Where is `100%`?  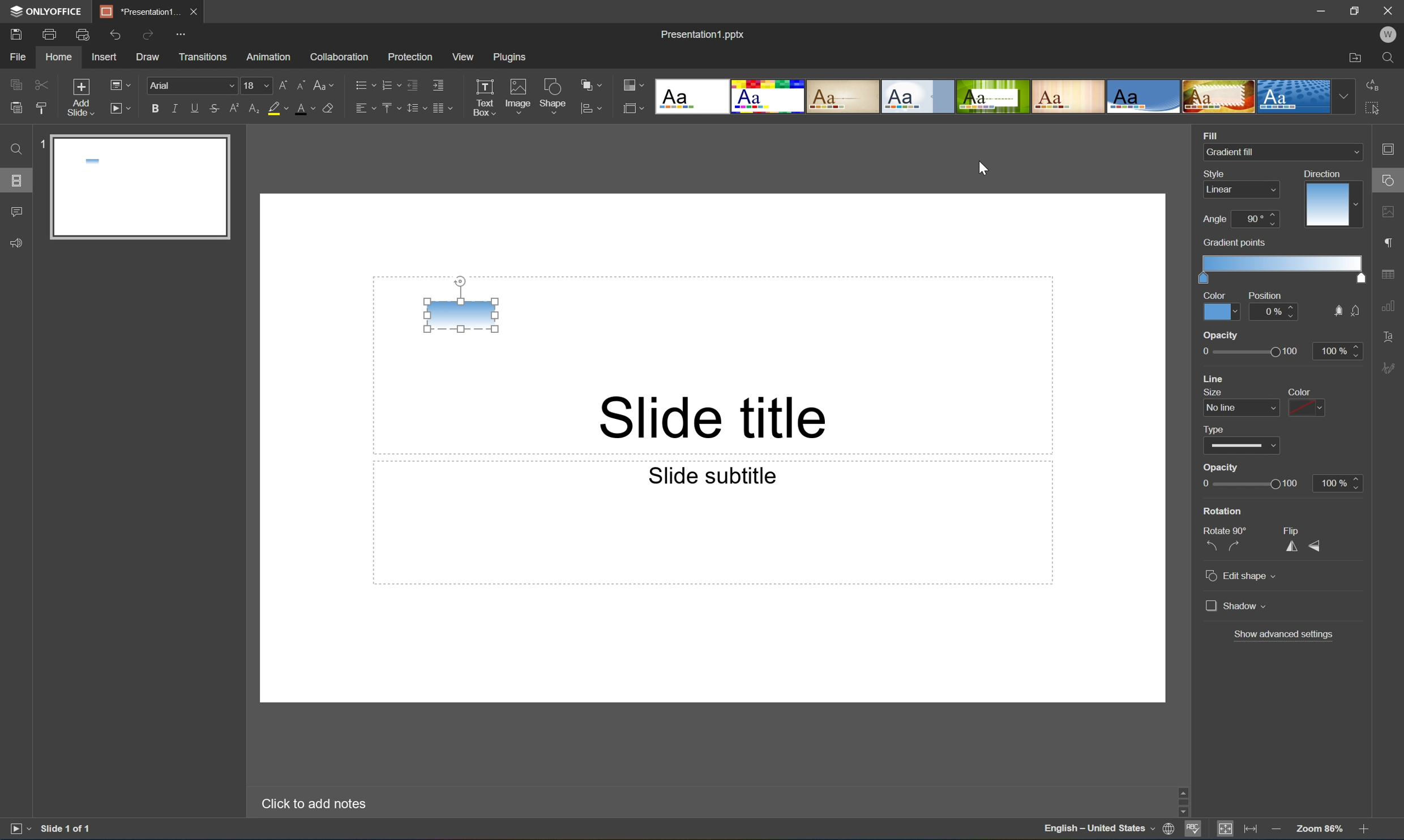
100% is located at coordinates (1338, 482).